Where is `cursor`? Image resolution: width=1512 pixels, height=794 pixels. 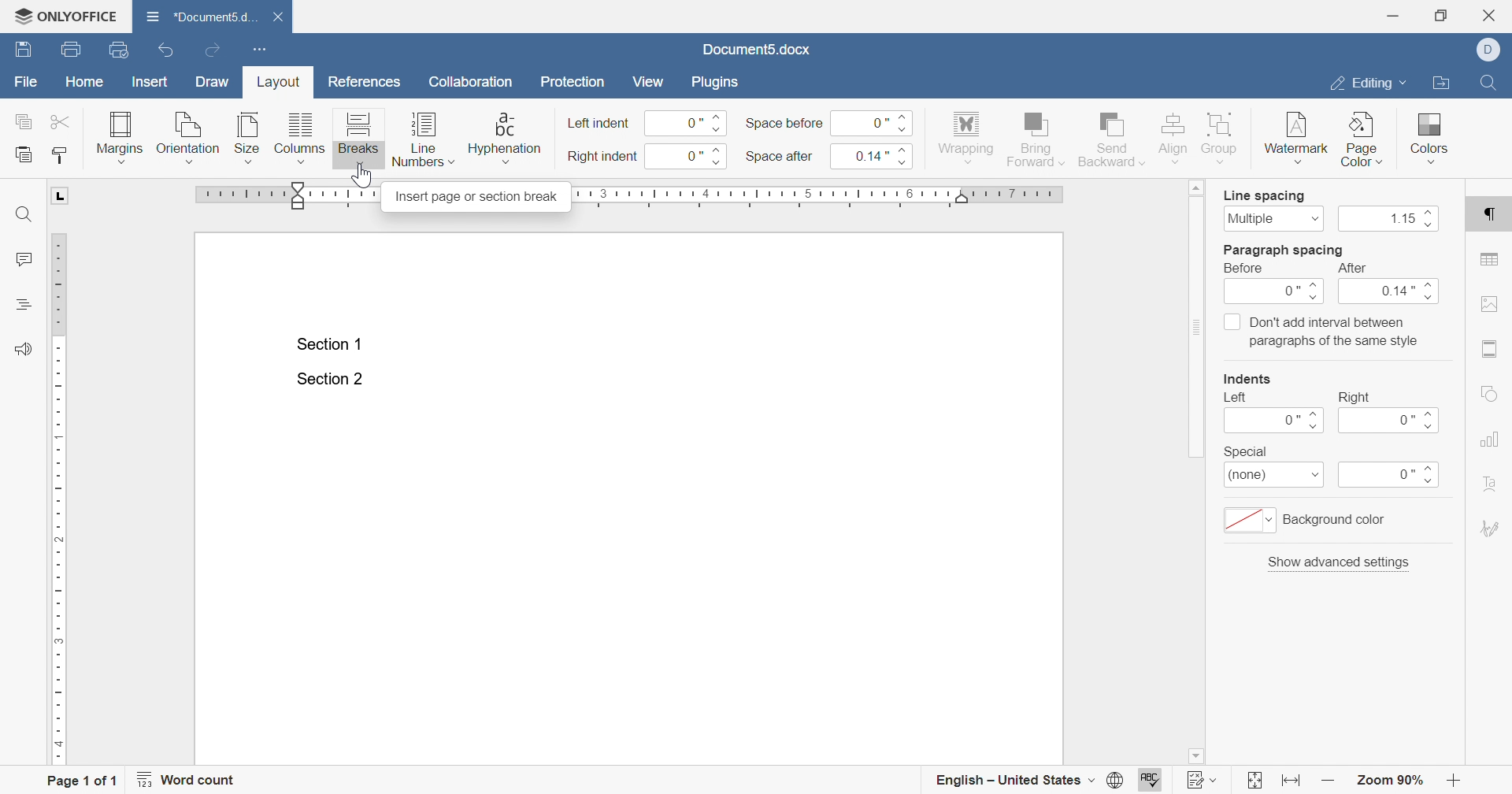 cursor is located at coordinates (361, 178).